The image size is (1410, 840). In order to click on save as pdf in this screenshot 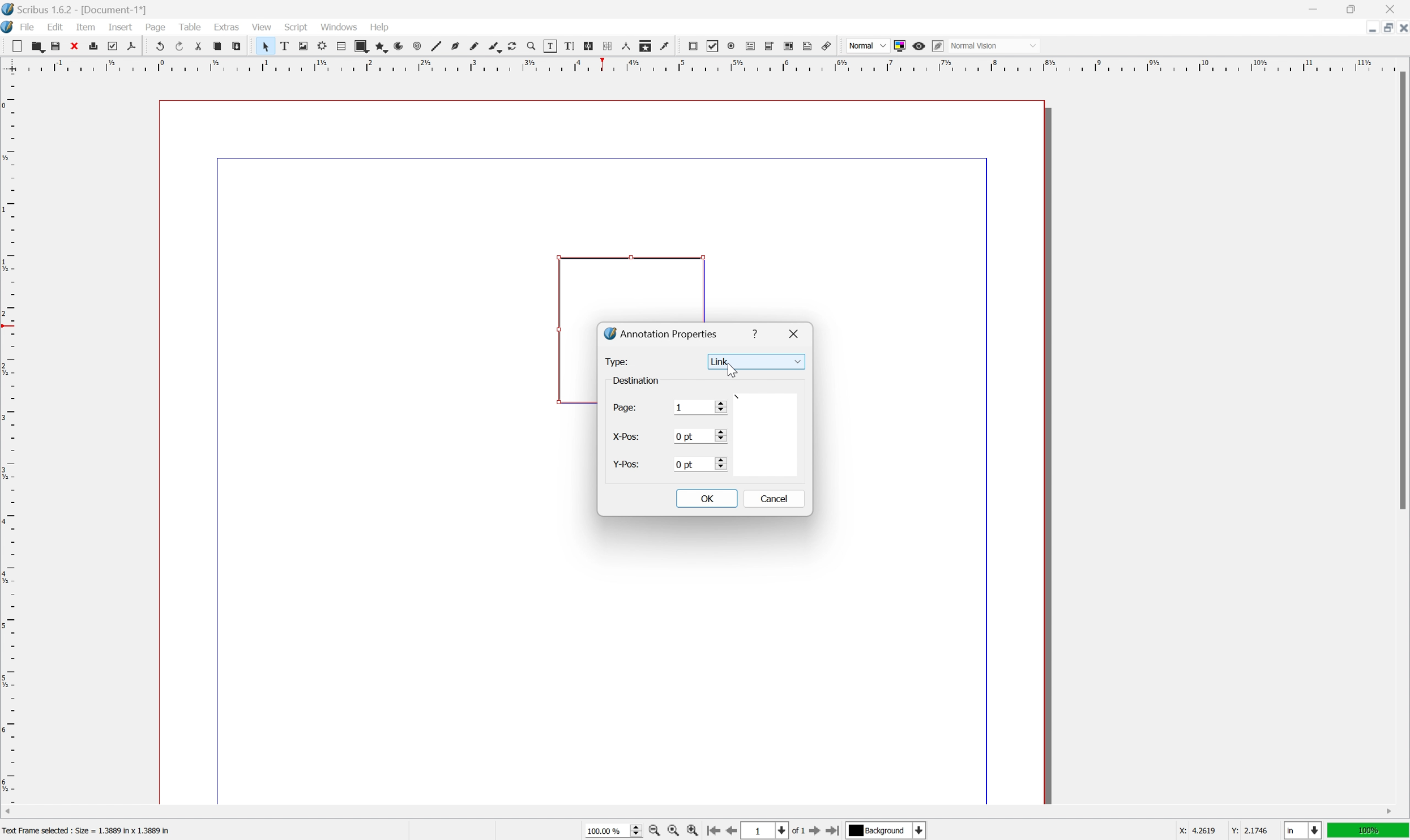, I will do `click(132, 46)`.